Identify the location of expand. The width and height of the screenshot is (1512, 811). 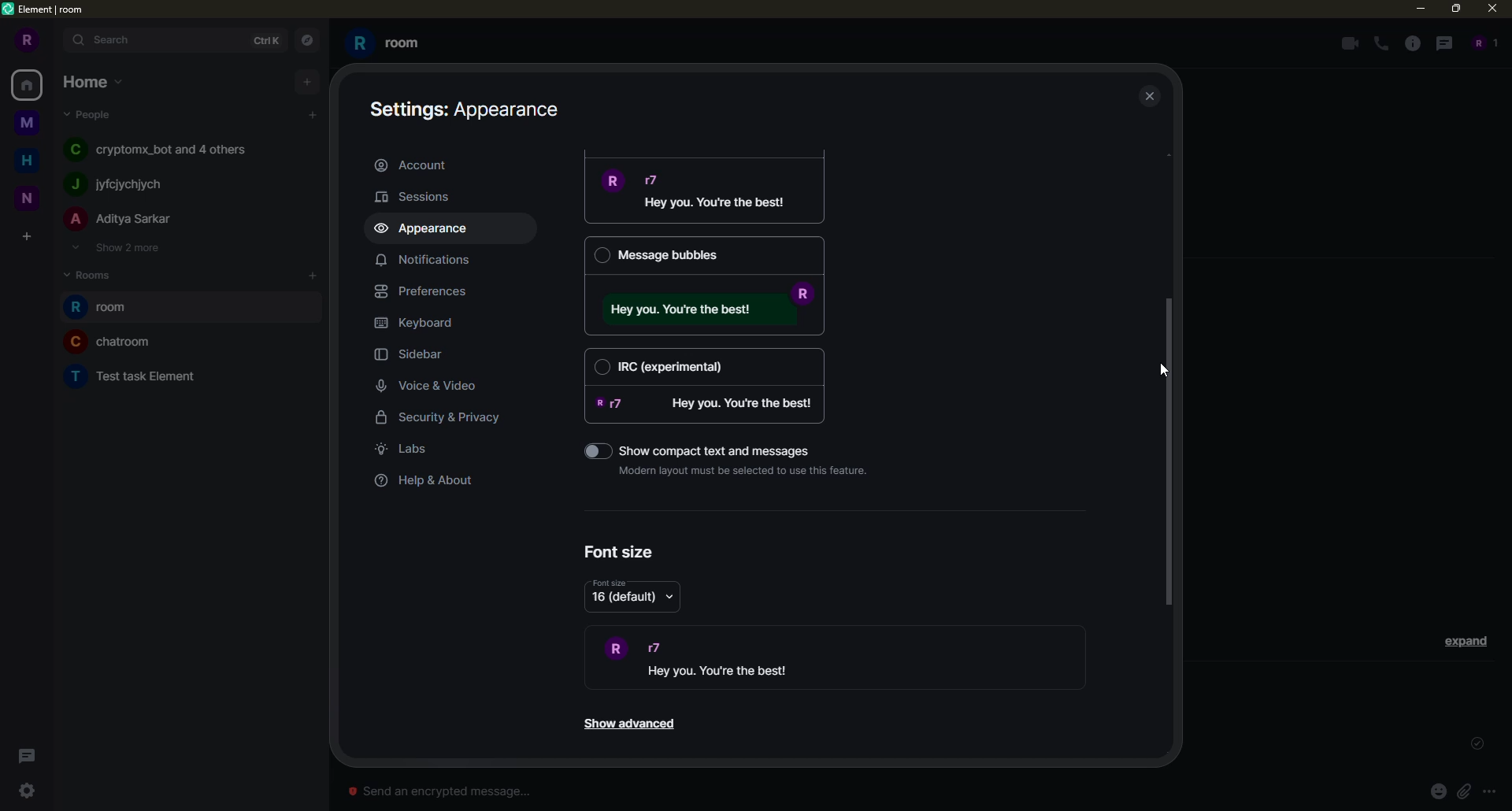
(57, 41).